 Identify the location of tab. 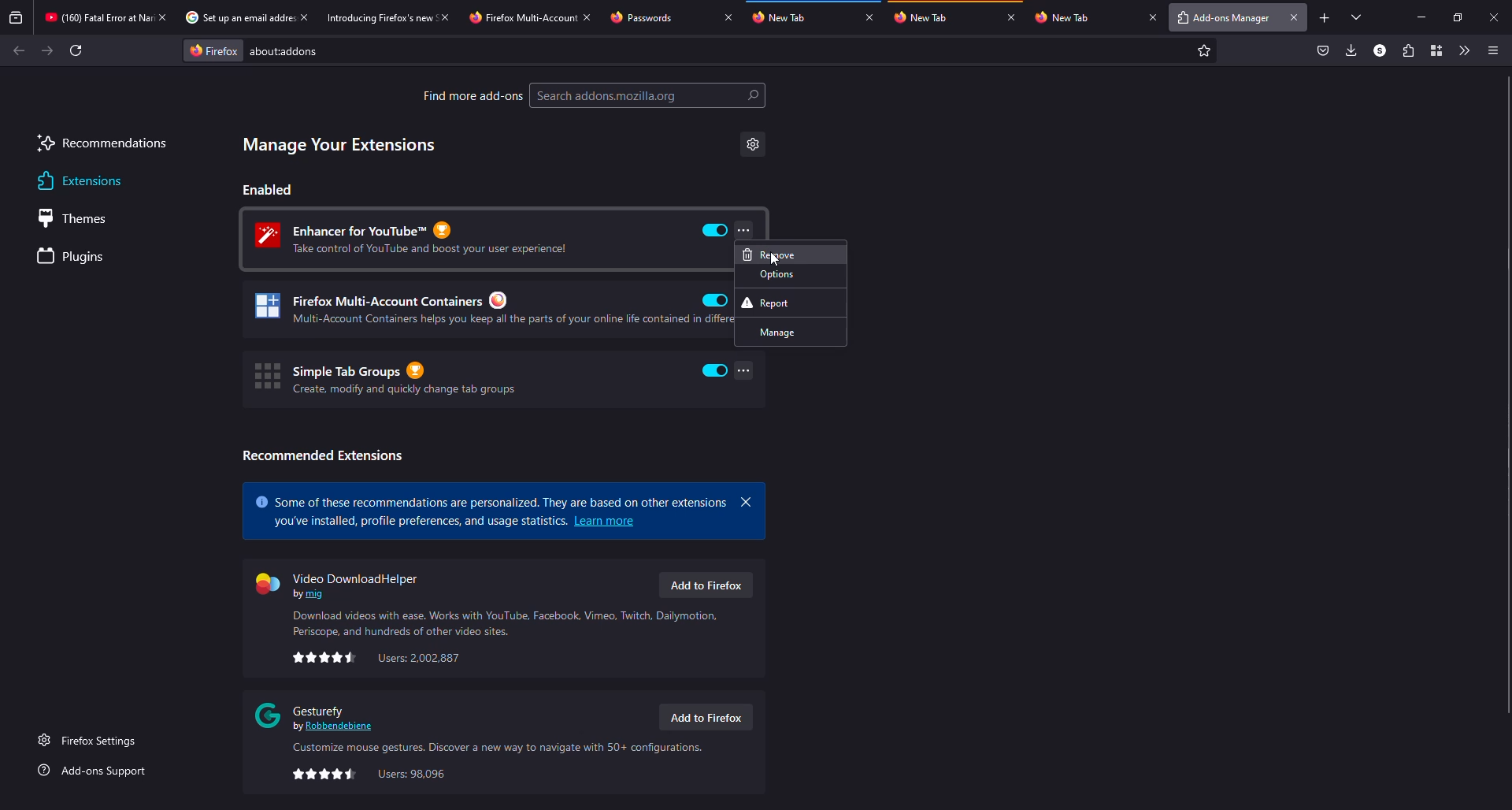
(236, 17).